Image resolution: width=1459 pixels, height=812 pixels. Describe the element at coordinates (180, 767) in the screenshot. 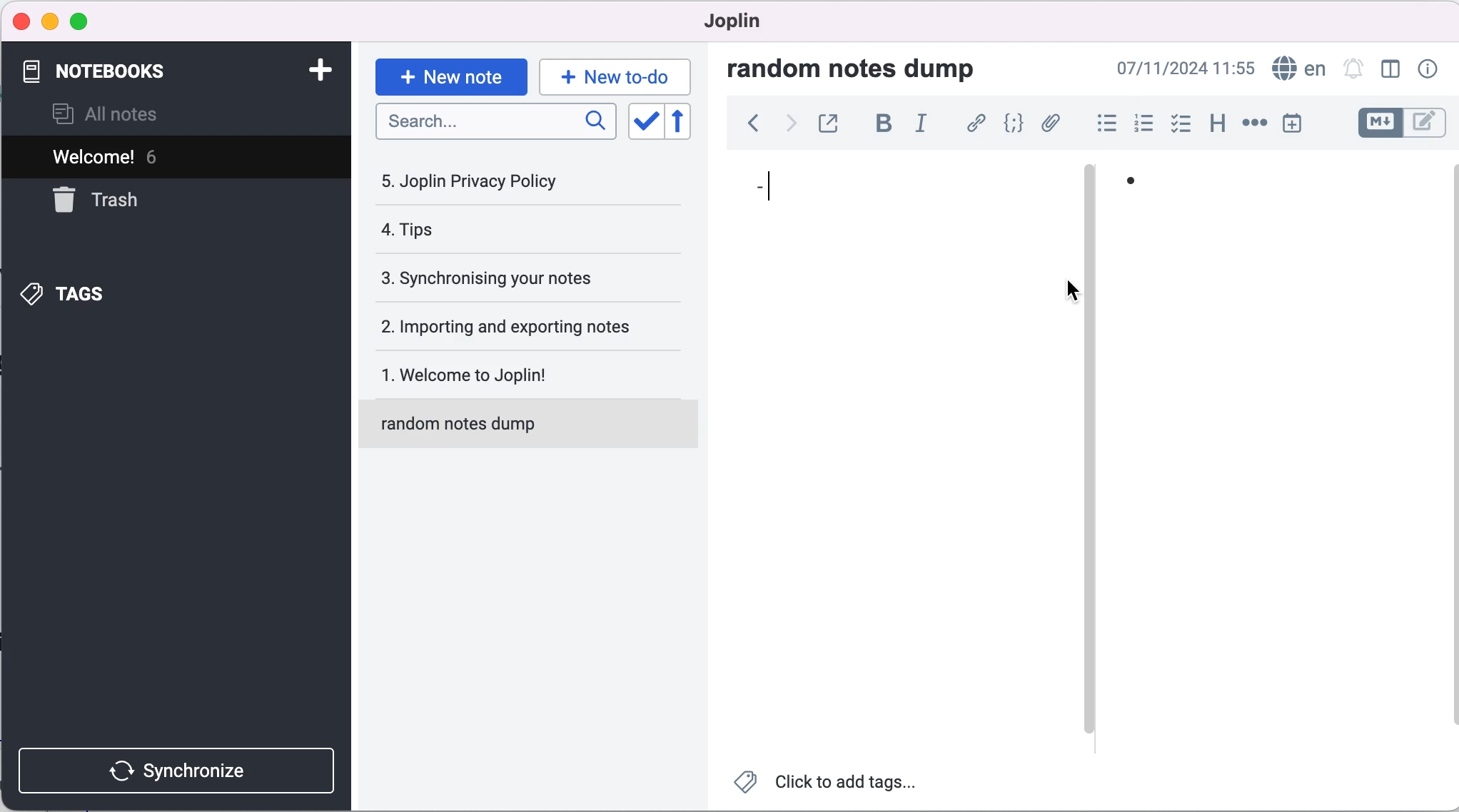

I see `synchronize` at that location.